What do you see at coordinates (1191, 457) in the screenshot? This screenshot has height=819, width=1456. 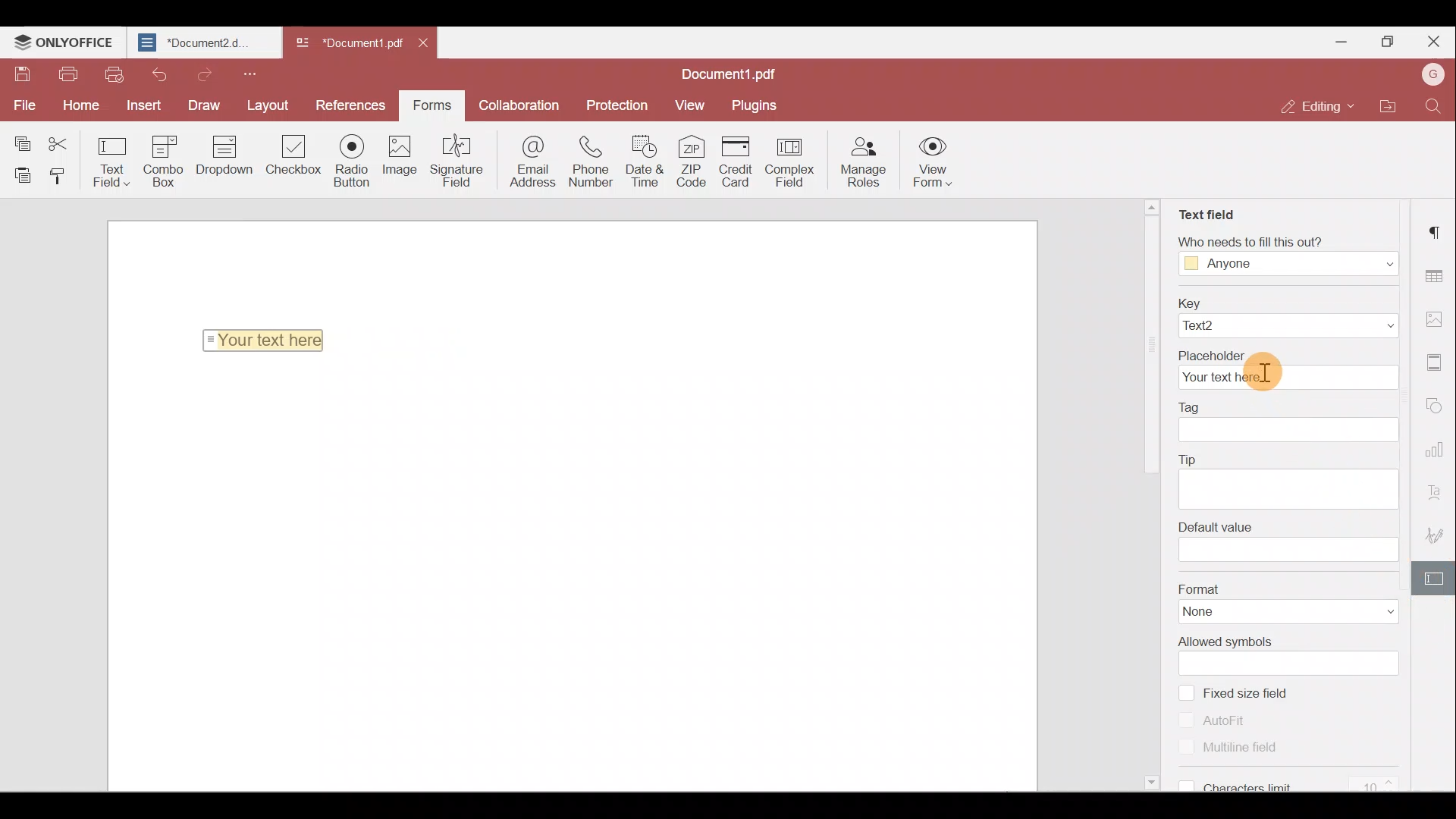 I see `Tip` at bounding box center [1191, 457].